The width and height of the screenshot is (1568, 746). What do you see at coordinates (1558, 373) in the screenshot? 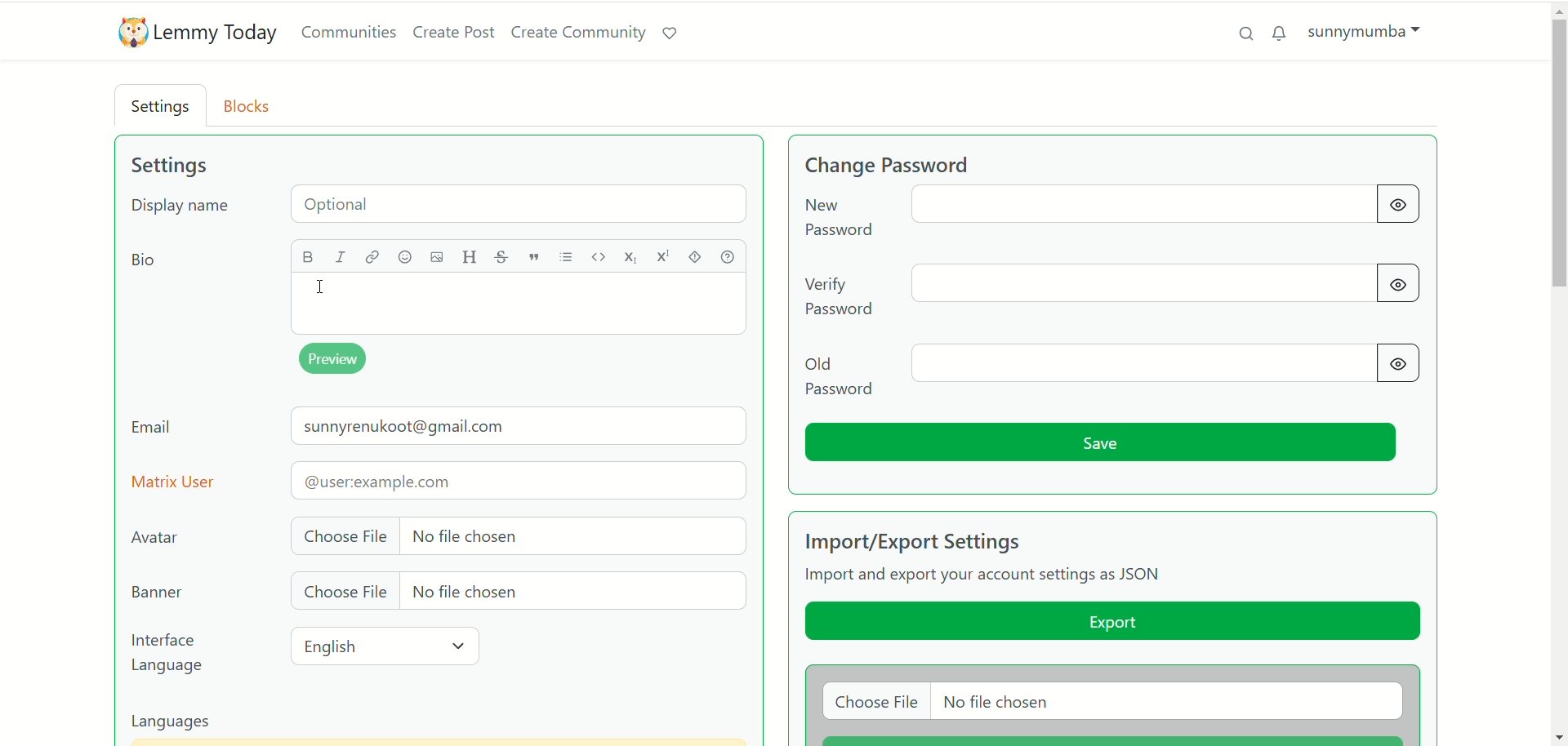
I see `vertical scroll bar` at bounding box center [1558, 373].